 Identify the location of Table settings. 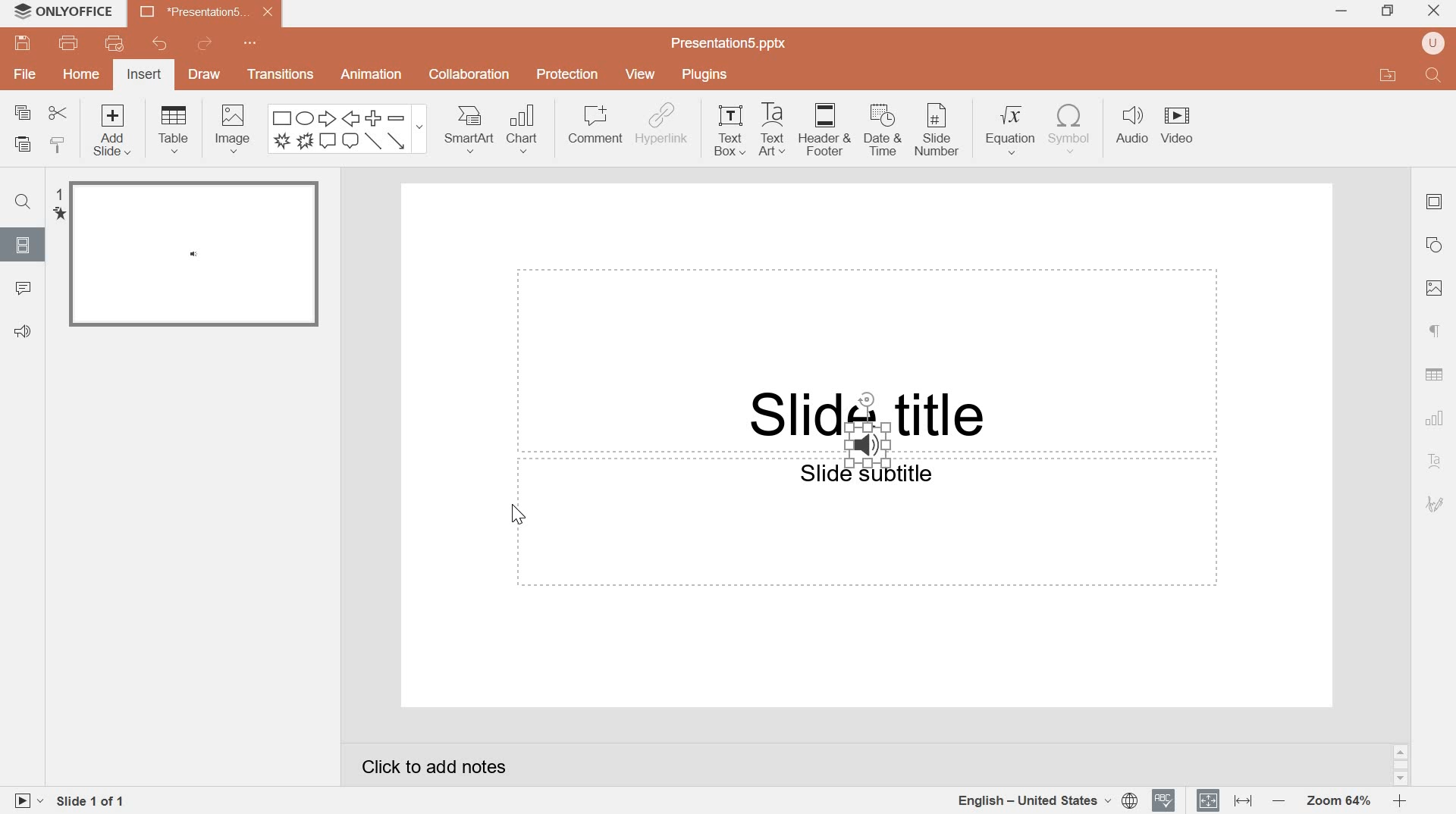
(1434, 374).